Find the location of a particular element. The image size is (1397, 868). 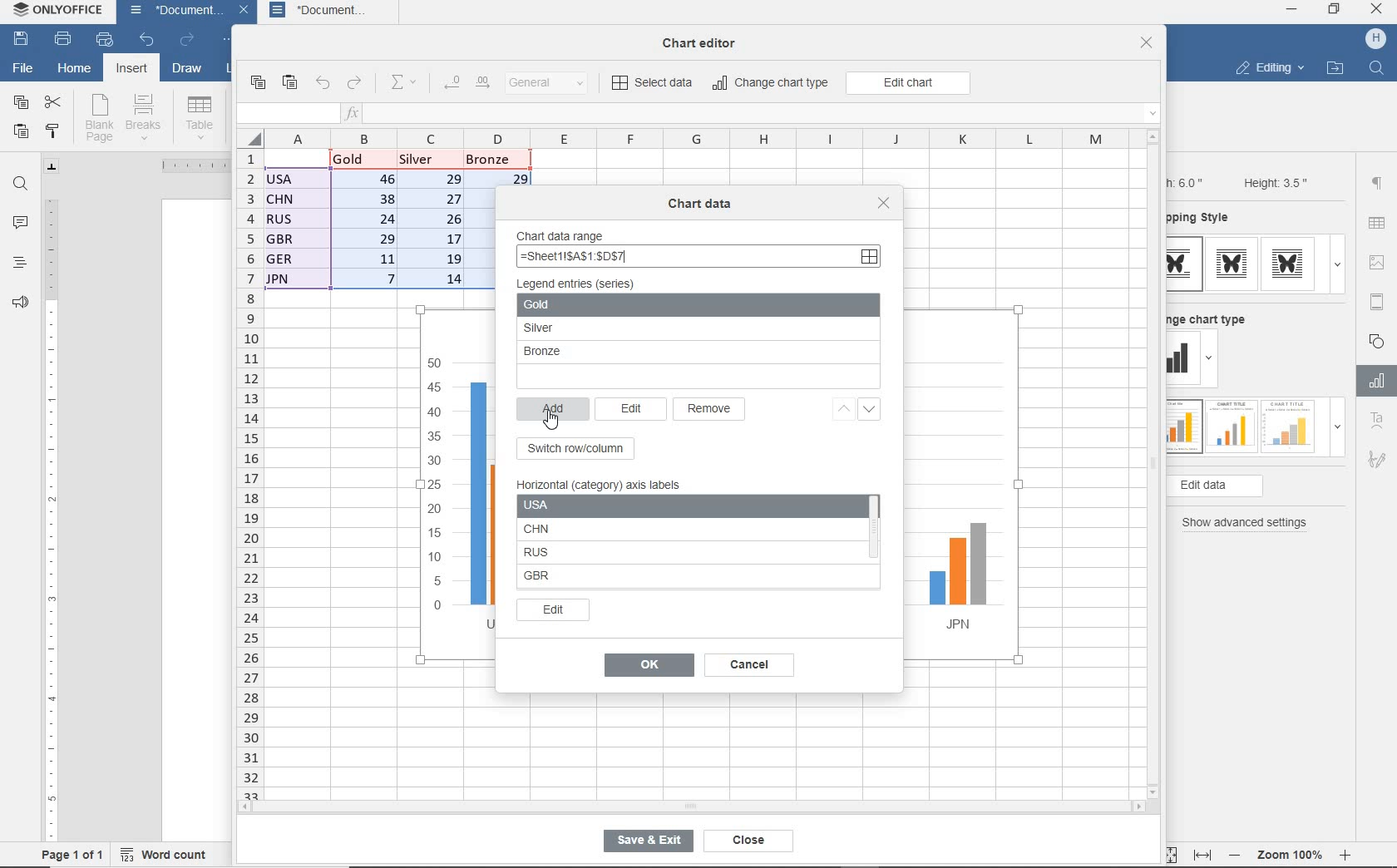

change chart type is located at coordinates (772, 84).